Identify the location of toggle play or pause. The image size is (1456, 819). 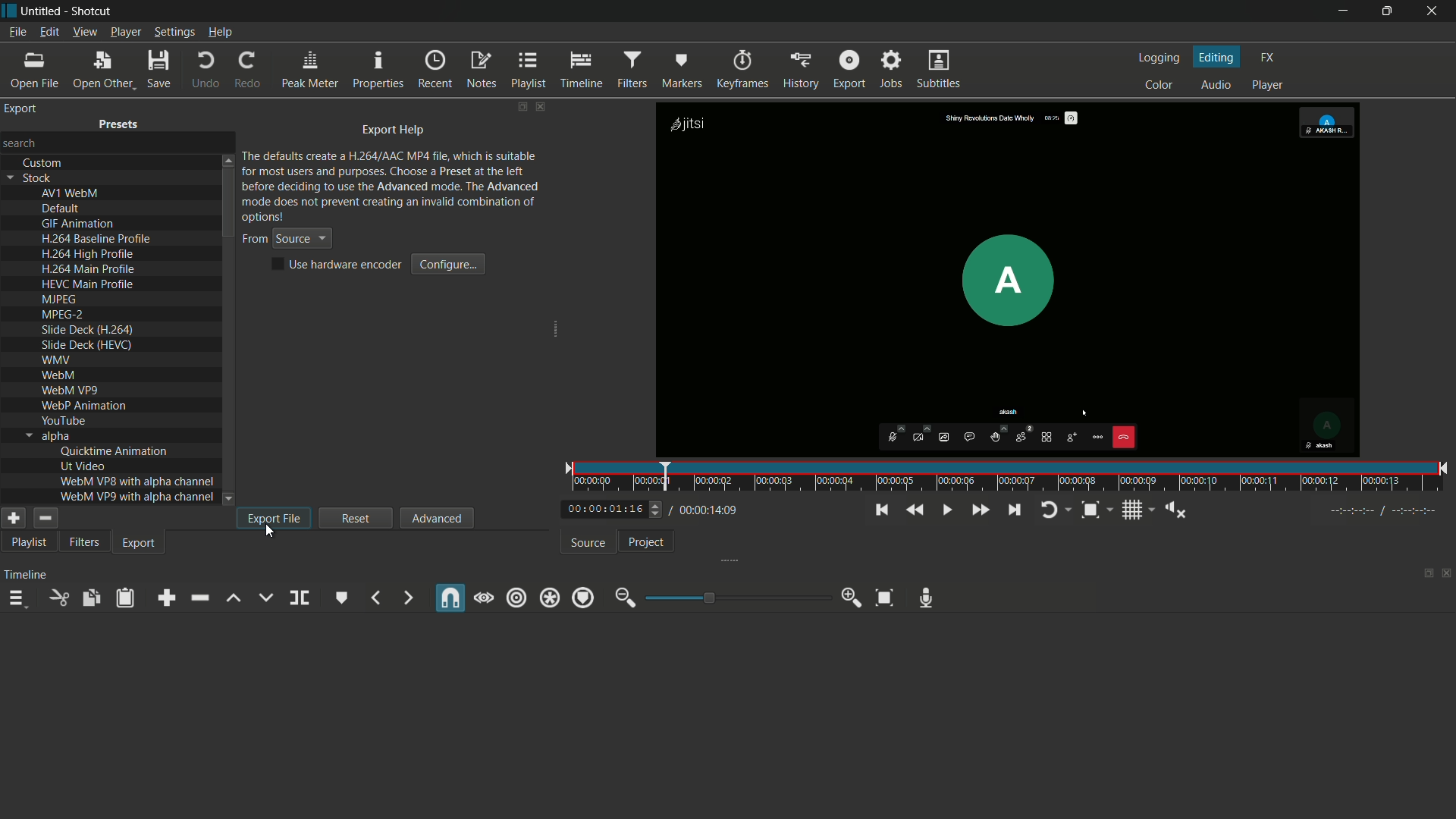
(947, 510).